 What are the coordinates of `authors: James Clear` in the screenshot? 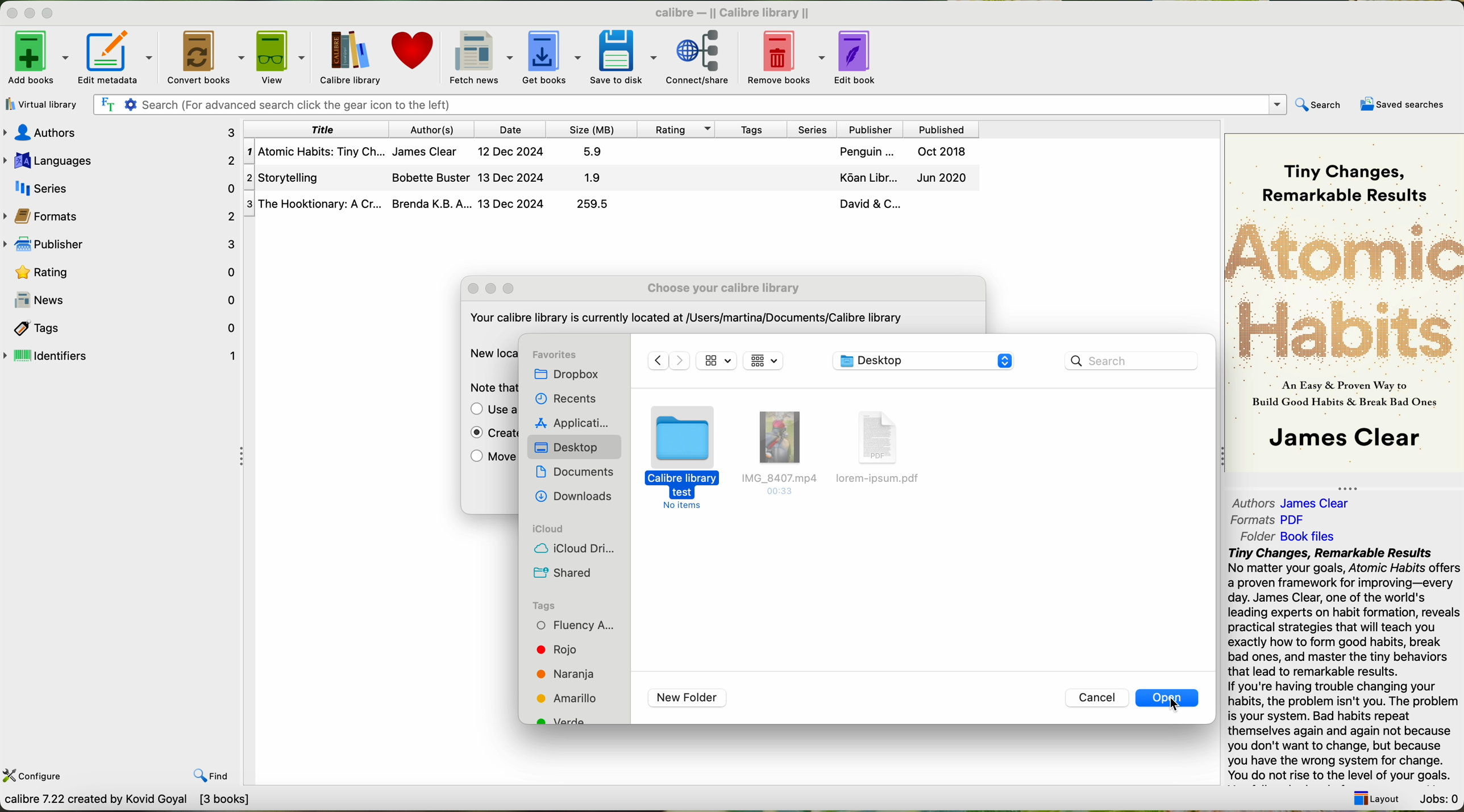 It's located at (1288, 500).